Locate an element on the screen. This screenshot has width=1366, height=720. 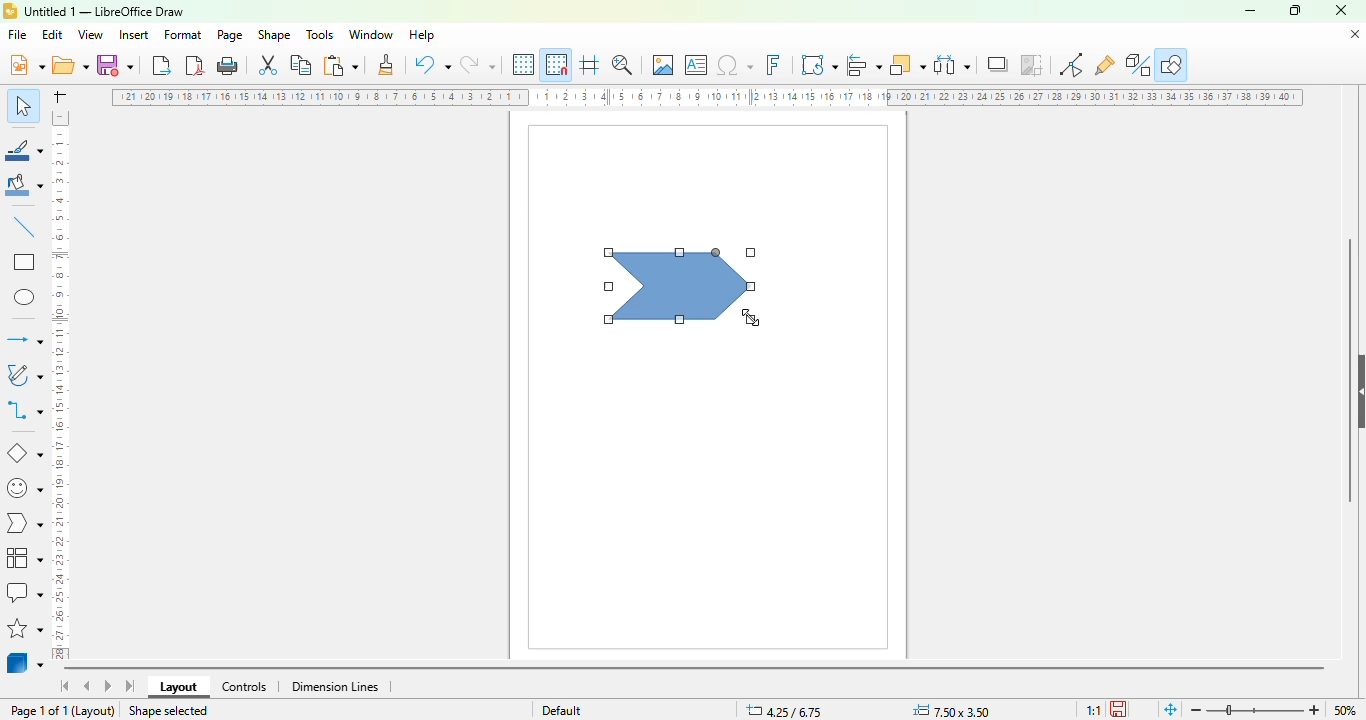
undo is located at coordinates (432, 64).